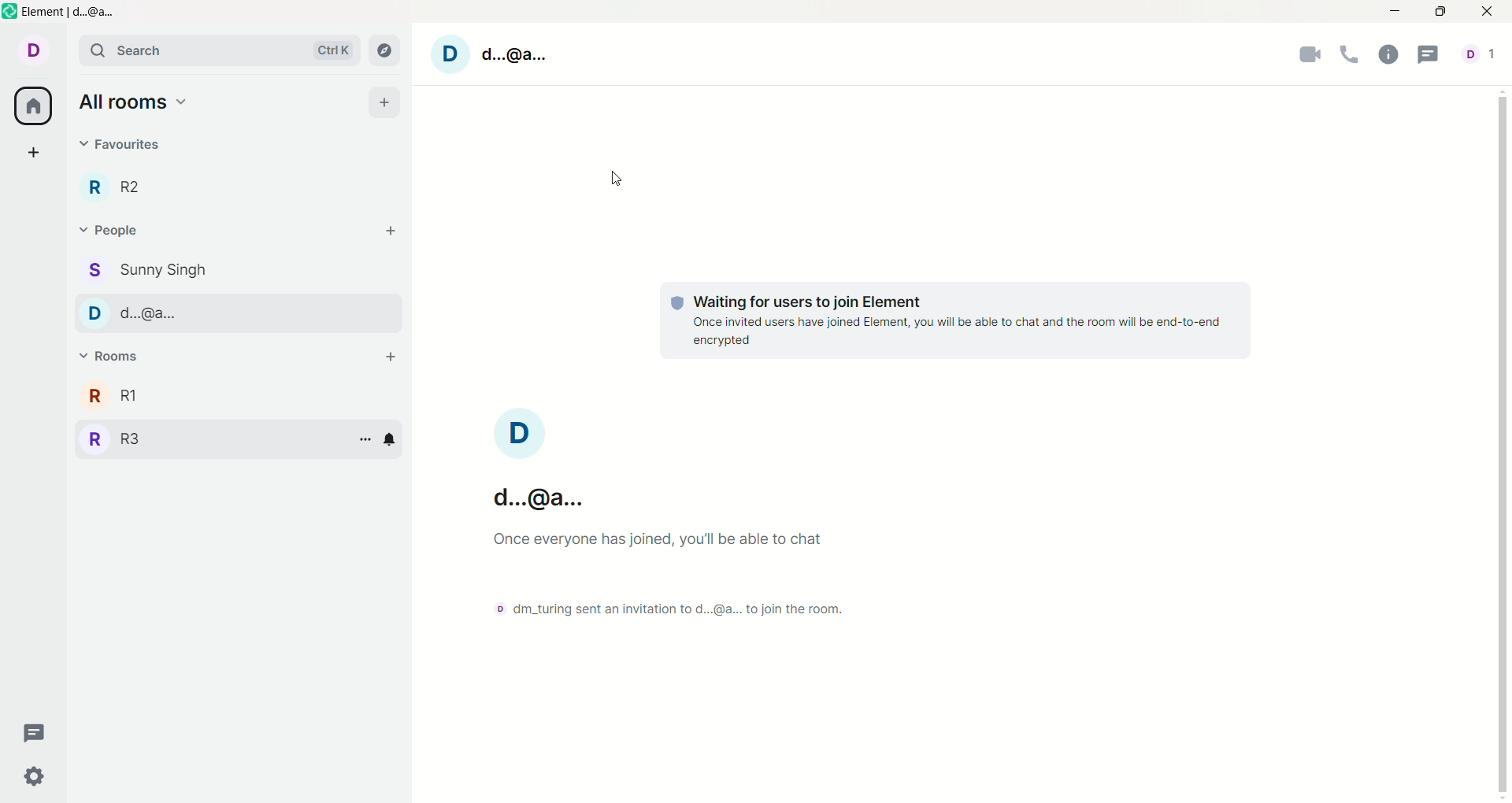  I want to click on video call, so click(1310, 57).